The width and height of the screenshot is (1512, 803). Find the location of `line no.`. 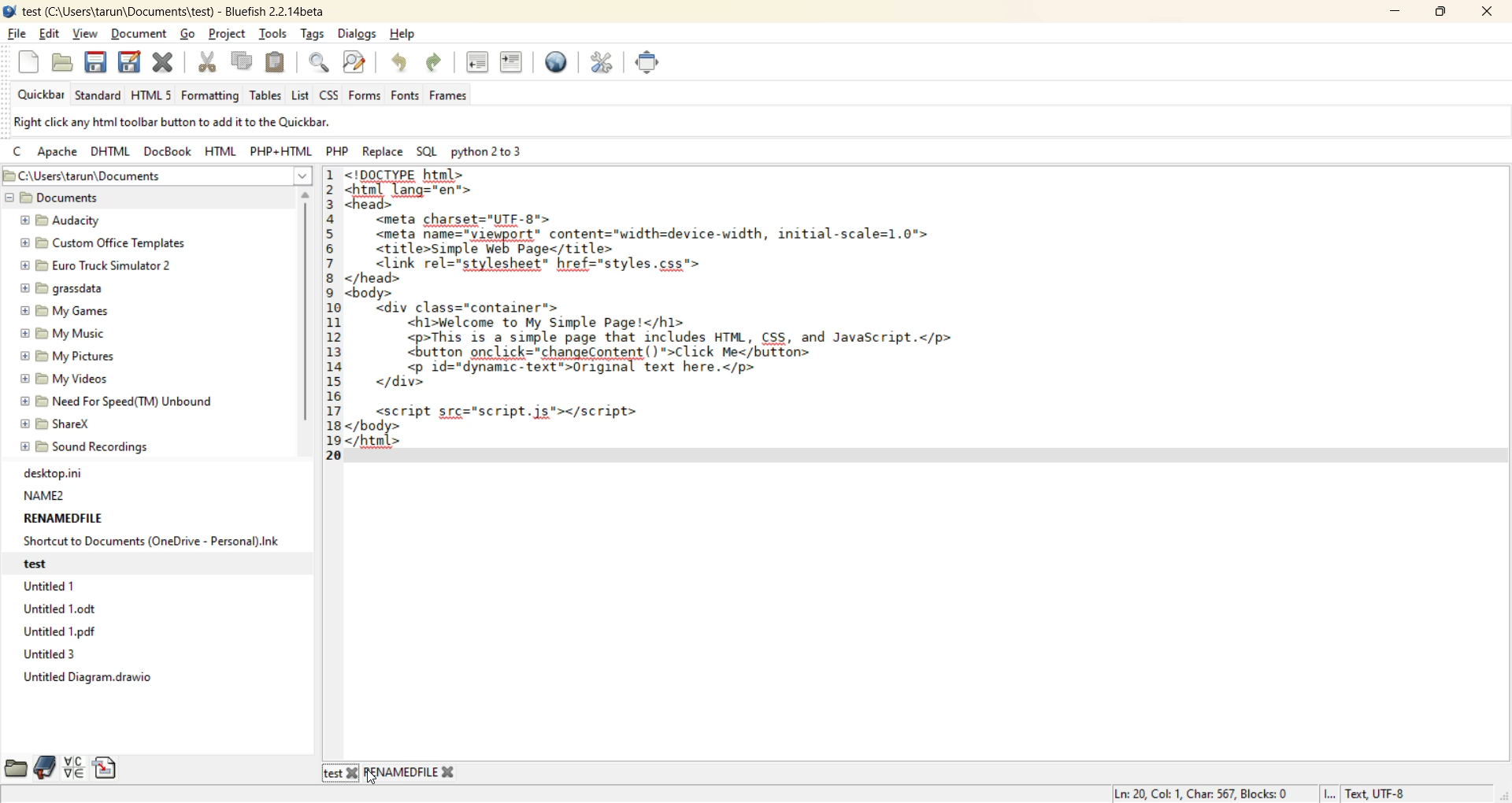

line no. is located at coordinates (332, 324).